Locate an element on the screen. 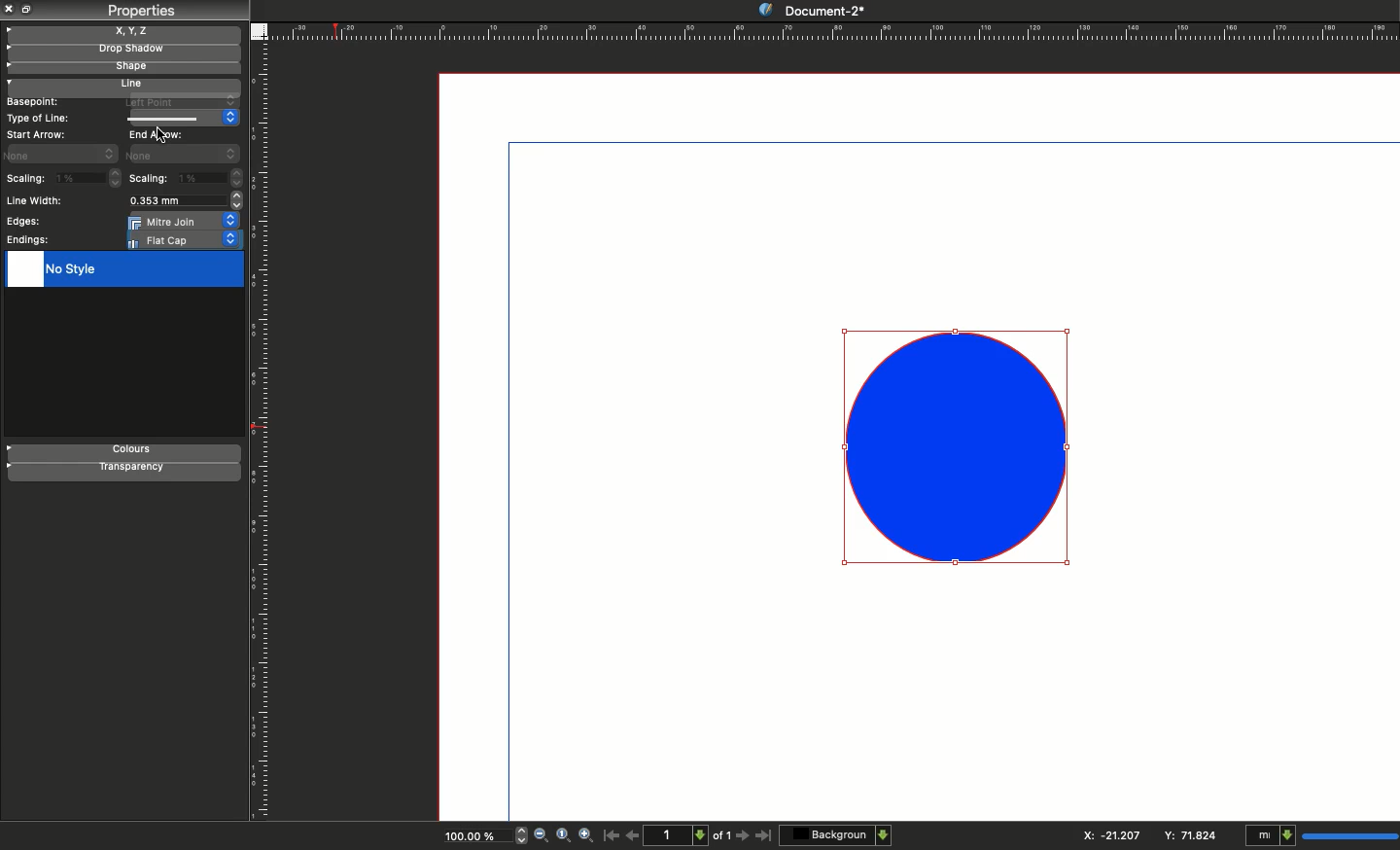 Image resolution: width=1400 pixels, height=850 pixels. Line is located at coordinates (119, 86).